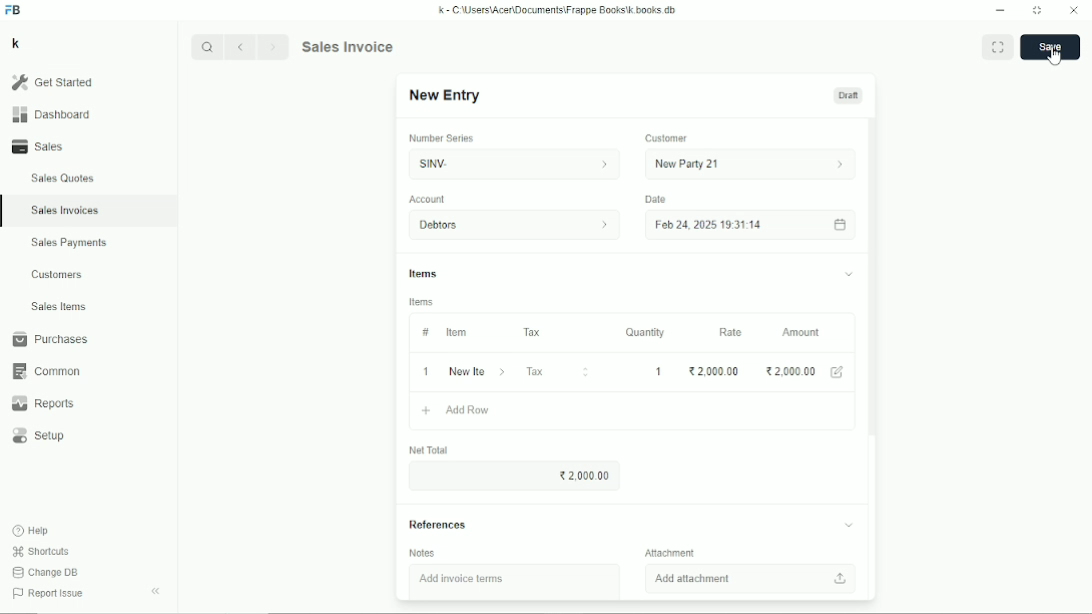 This screenshot has height=614, width=1092. I want to click on Net total, so click(429, 450).